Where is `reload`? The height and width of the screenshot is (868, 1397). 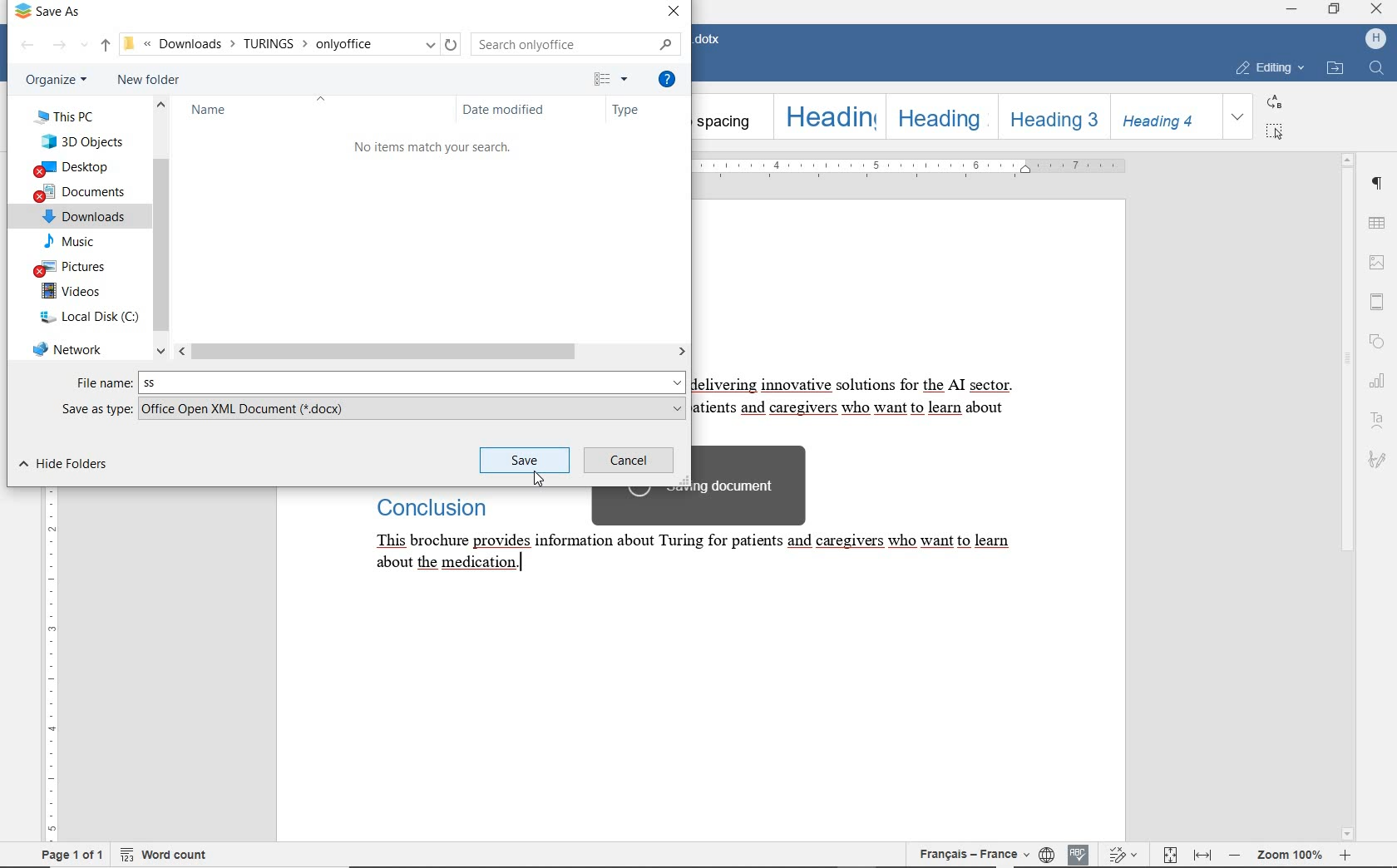 reload is located at coordinates (454, 45).